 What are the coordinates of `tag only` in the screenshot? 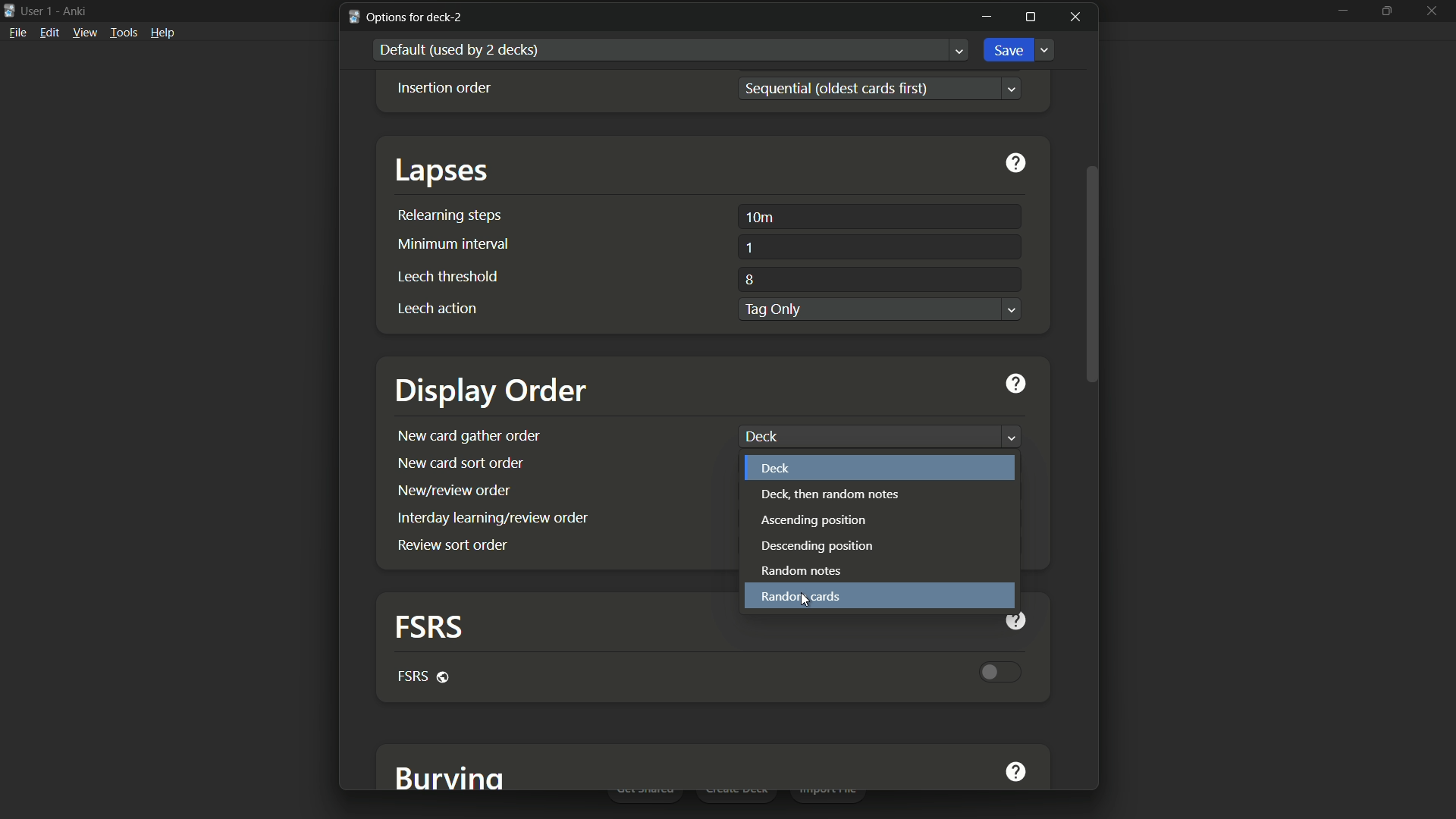 It's located at (773, 310).